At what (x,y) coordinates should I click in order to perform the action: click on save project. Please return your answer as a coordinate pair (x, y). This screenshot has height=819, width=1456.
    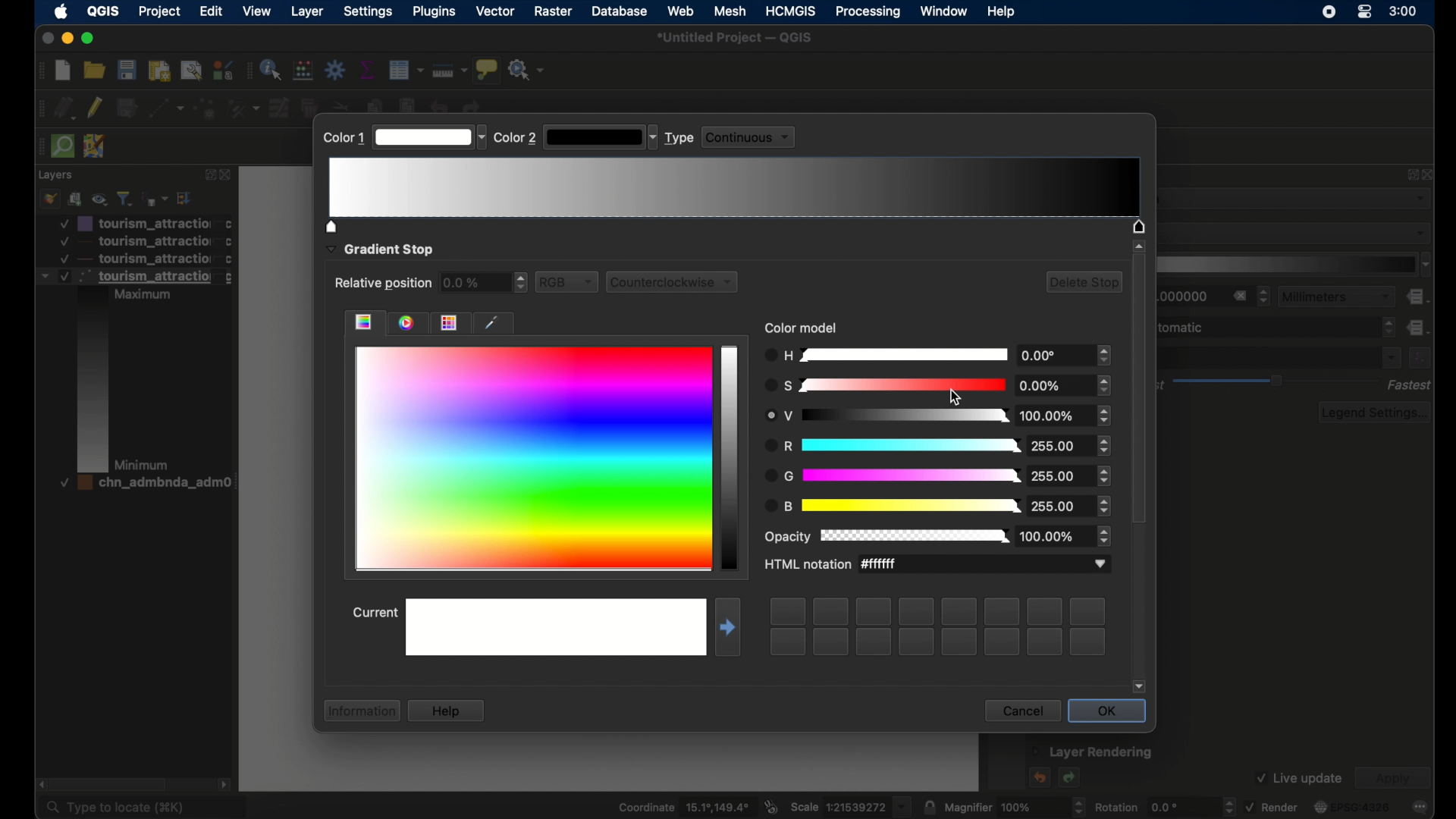
    Looking at the image, I should click on (128, 70).